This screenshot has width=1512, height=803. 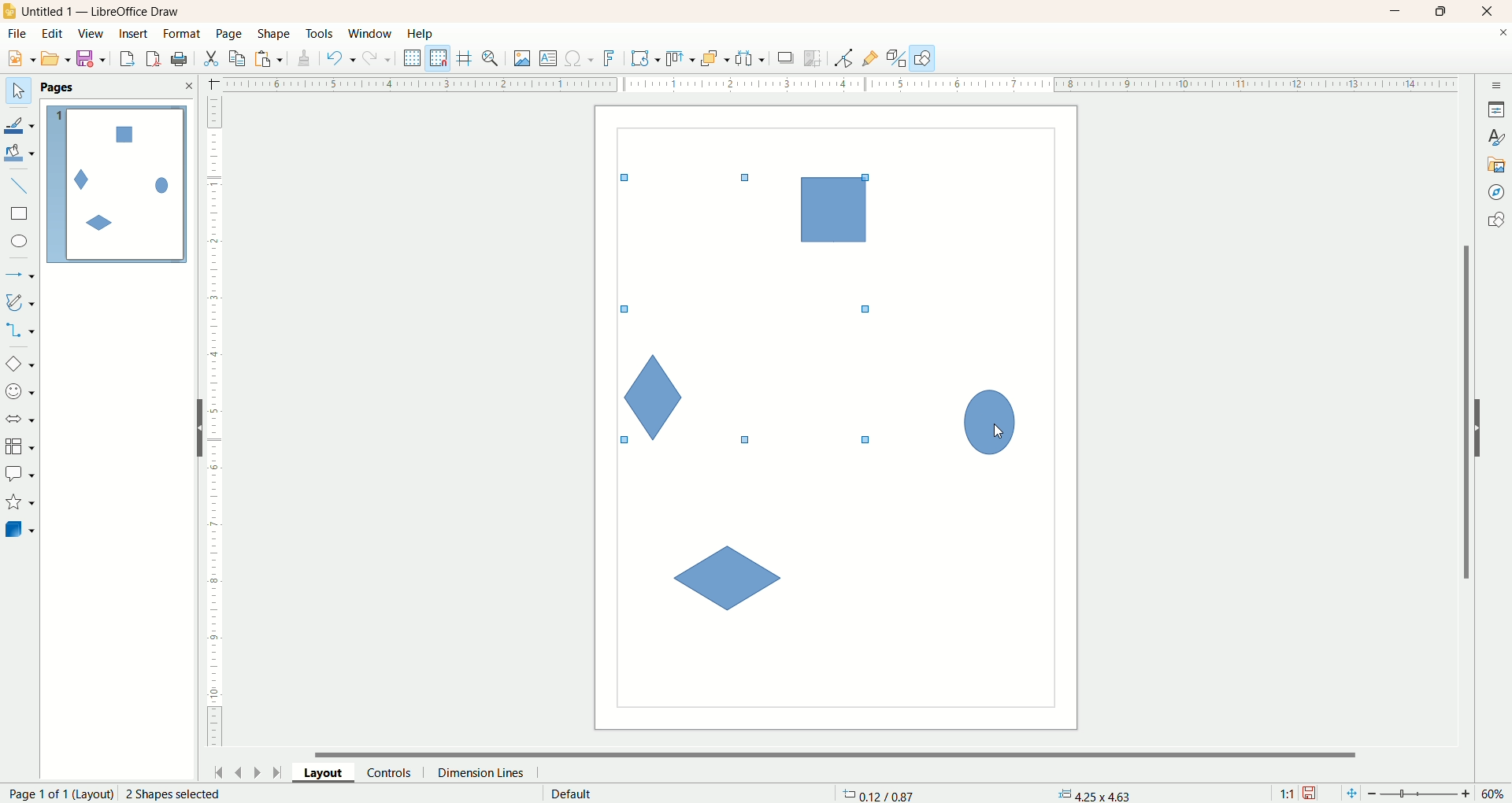 What do you see at coordinates (21, 214) in the screenshot?
I see `rectangle` at bounding box center [21, 214].